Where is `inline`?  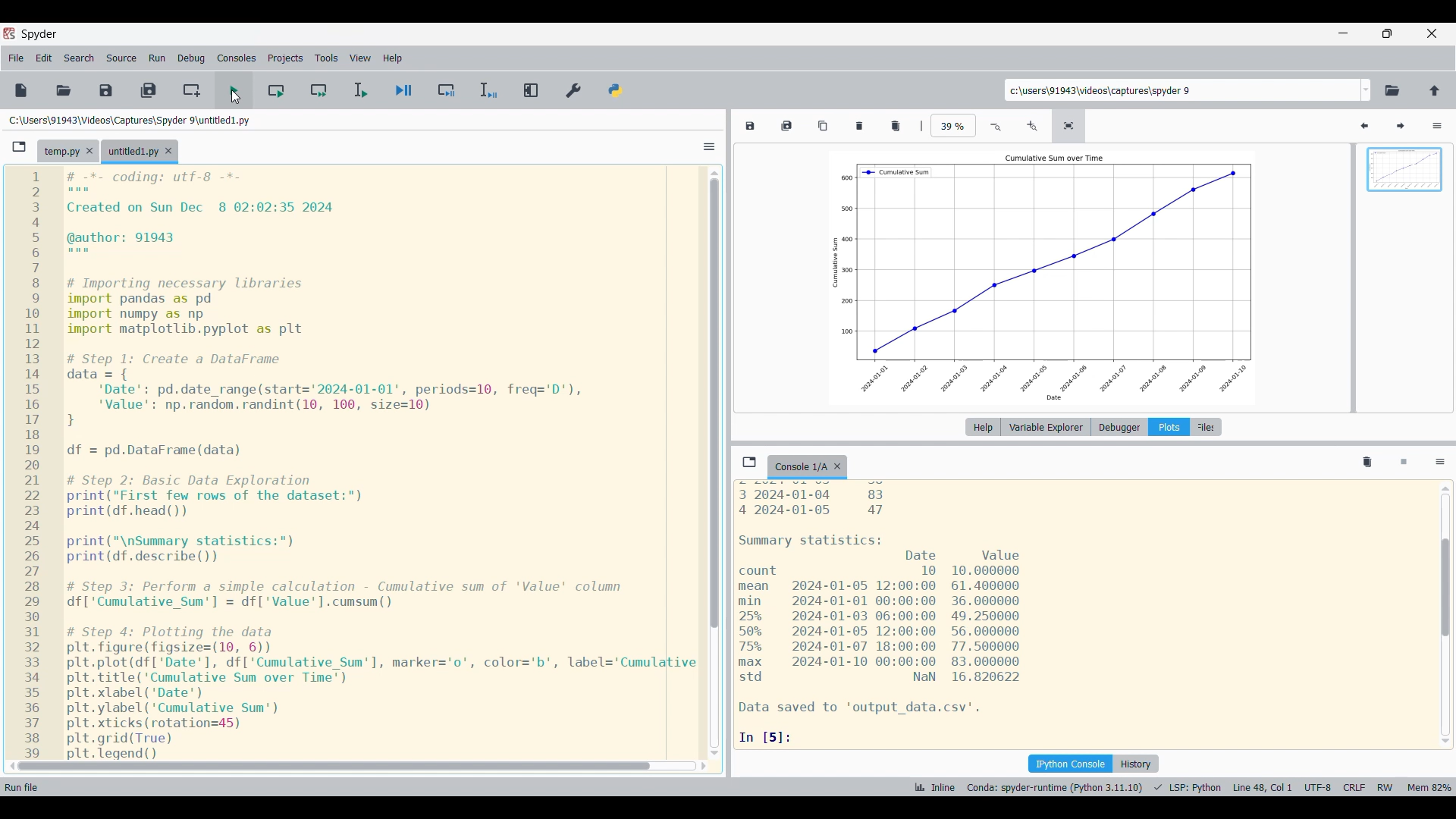
inline is located at coordinates (932, 788).